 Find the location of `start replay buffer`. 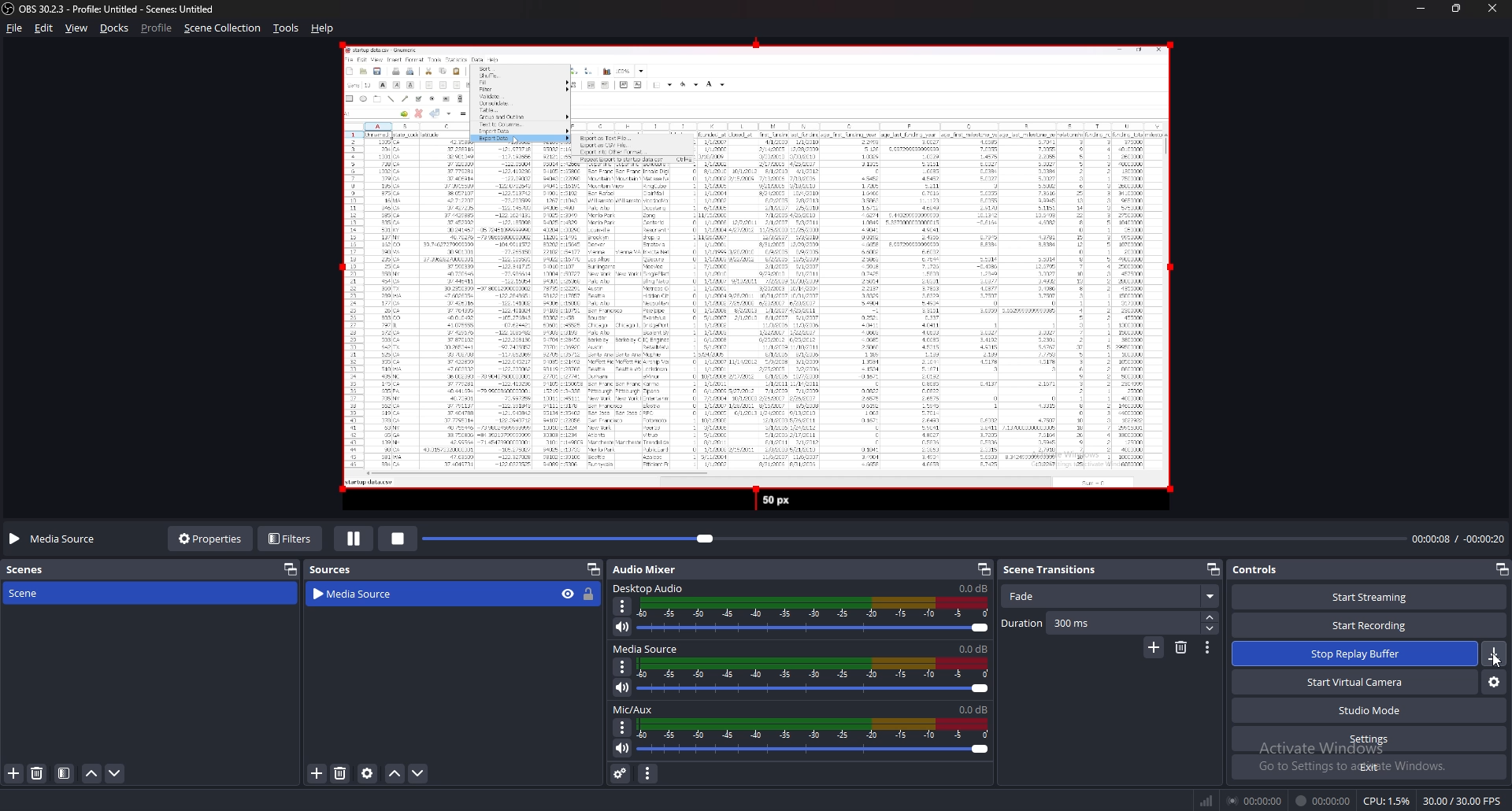

start replay buffer is located at coordinates (1370, 653).